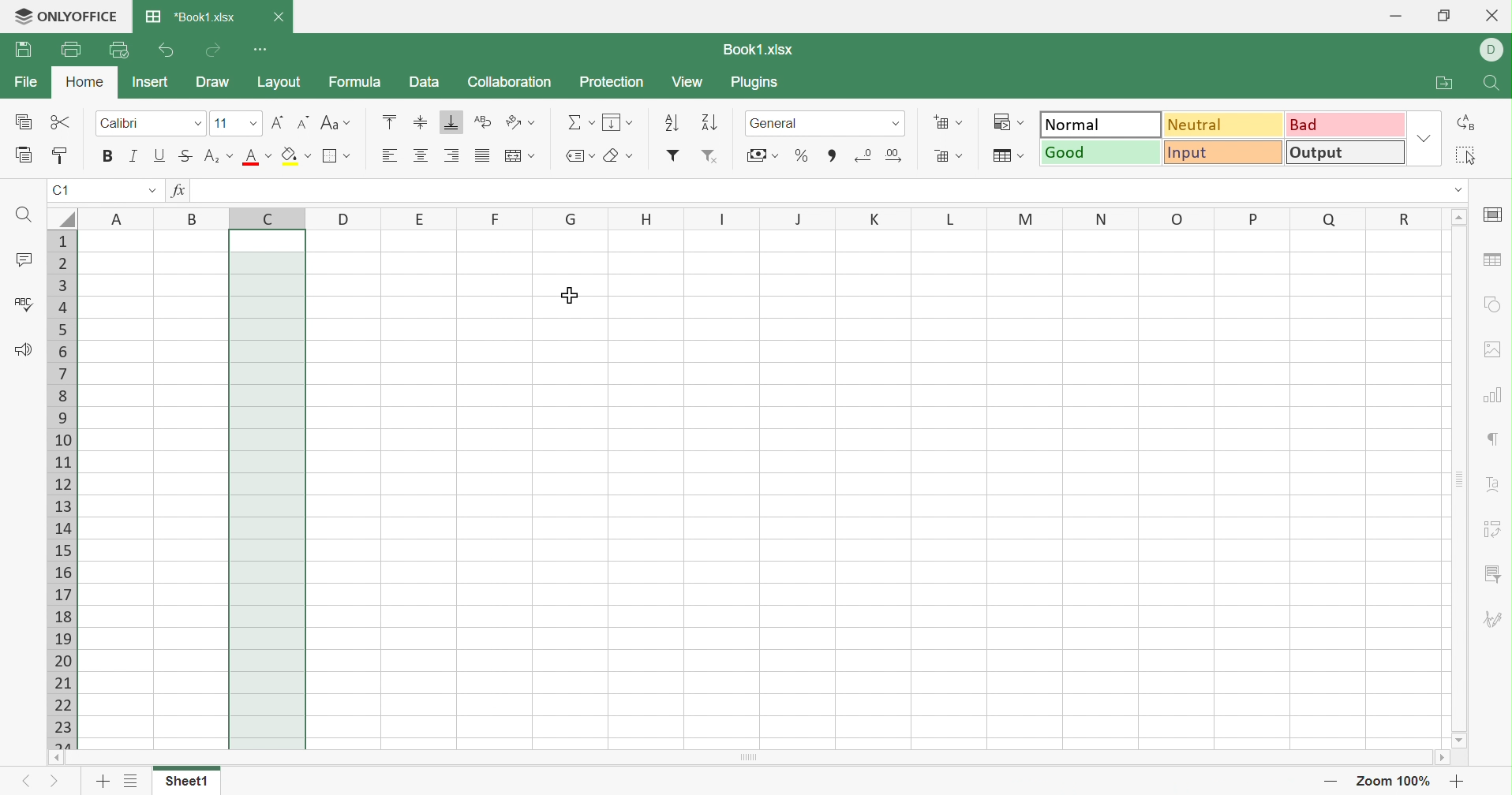 The image size is (1512, 795). What do you see at coordinates (24, 47) in the screenshot?
I see `Save` at bounding box center [24, 47].